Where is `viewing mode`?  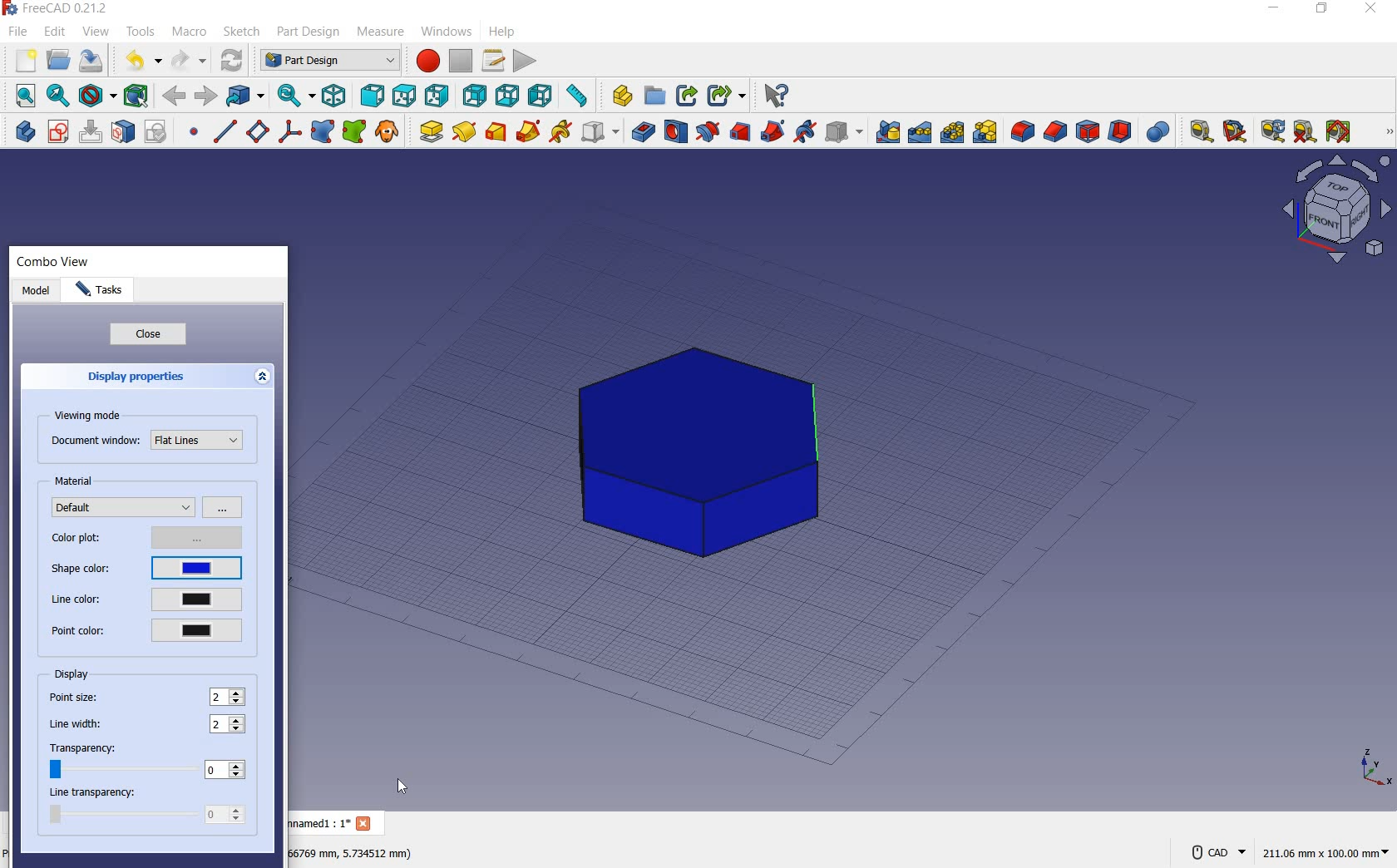 viewing mode is located at coordinates (80, 416).